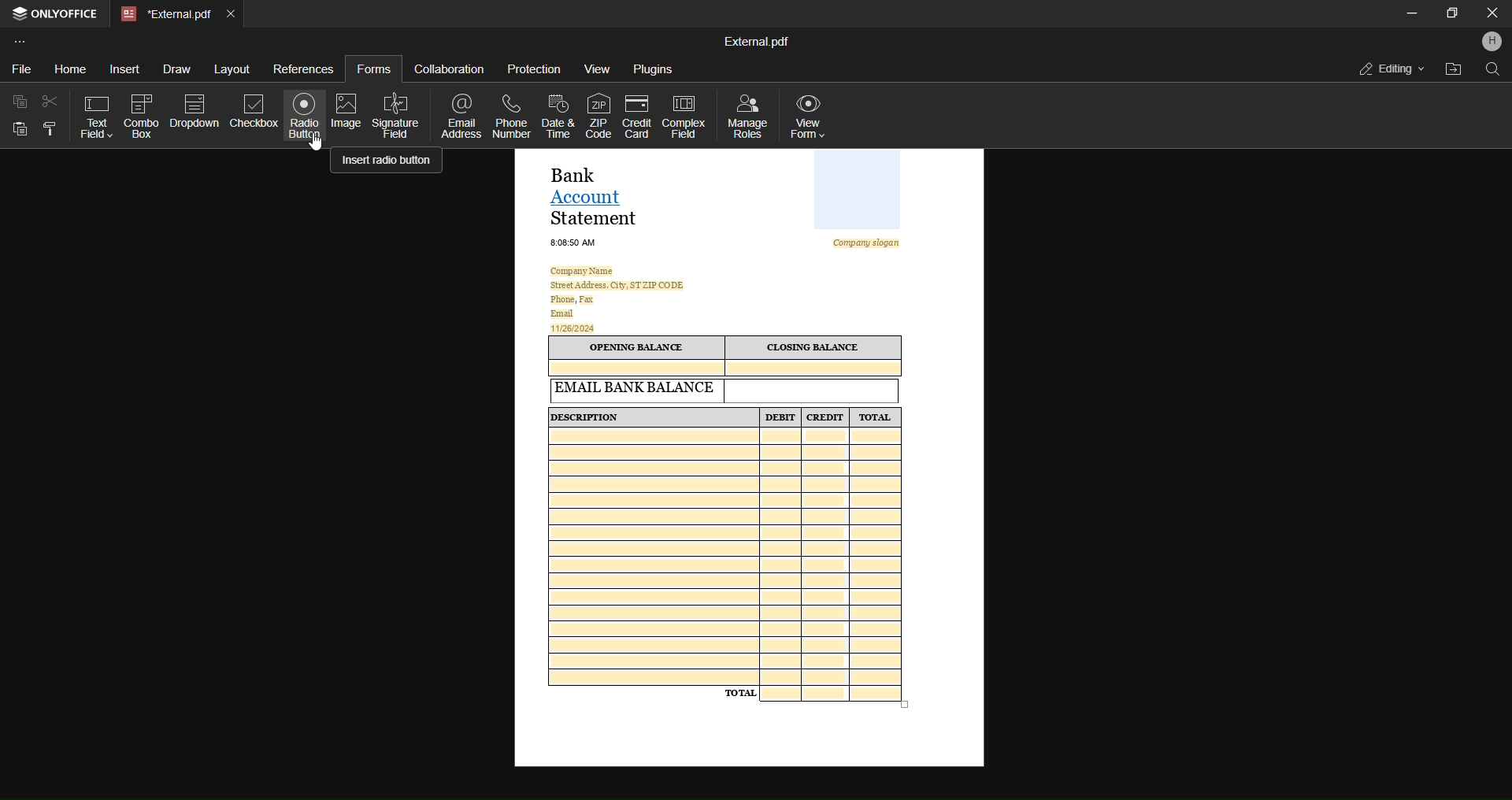 This screenshot has width=1512, height=800. Describe the element at coordinates (746, 116) in the screenshot. I see `manage roles` at that location.